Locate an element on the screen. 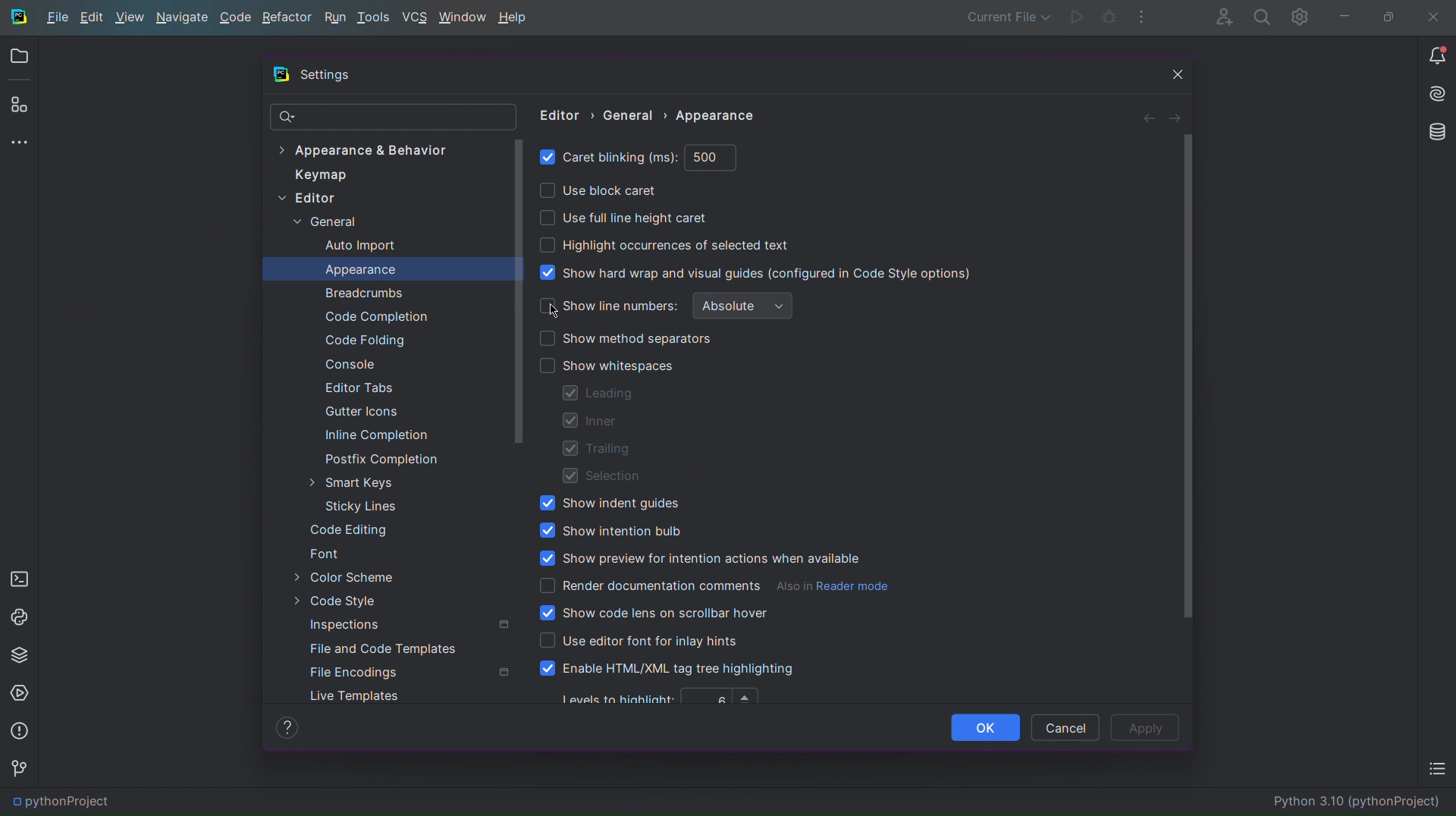 Image resolution: width=1456 pixels, height=816 pixels. Show method separators is located at coordinates (628, 338).